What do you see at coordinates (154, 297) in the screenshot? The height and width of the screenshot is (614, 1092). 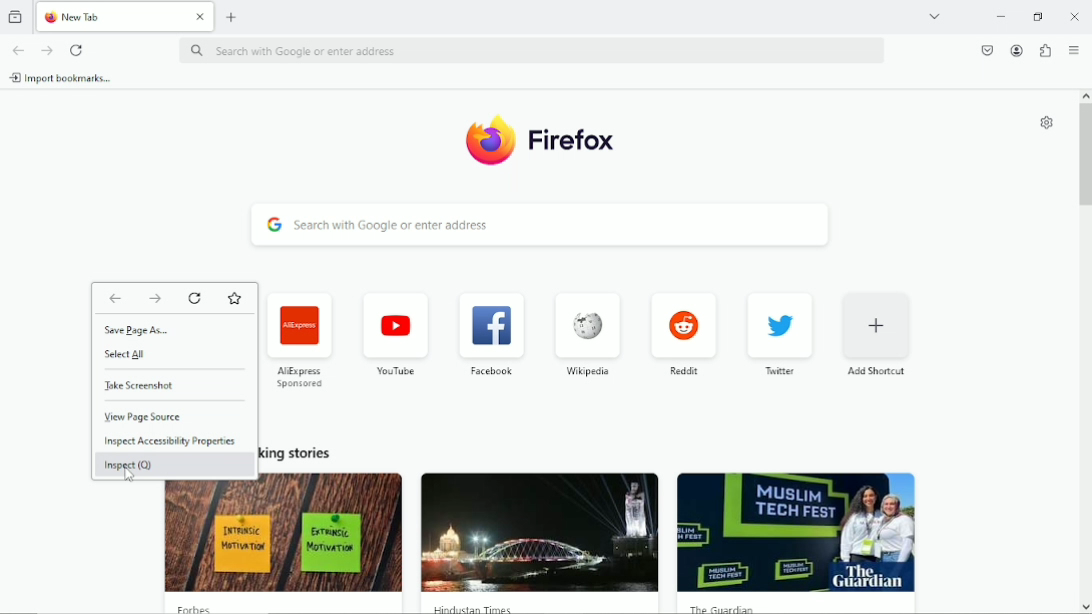 I see `Go forward` at bounding box center [154, 297].